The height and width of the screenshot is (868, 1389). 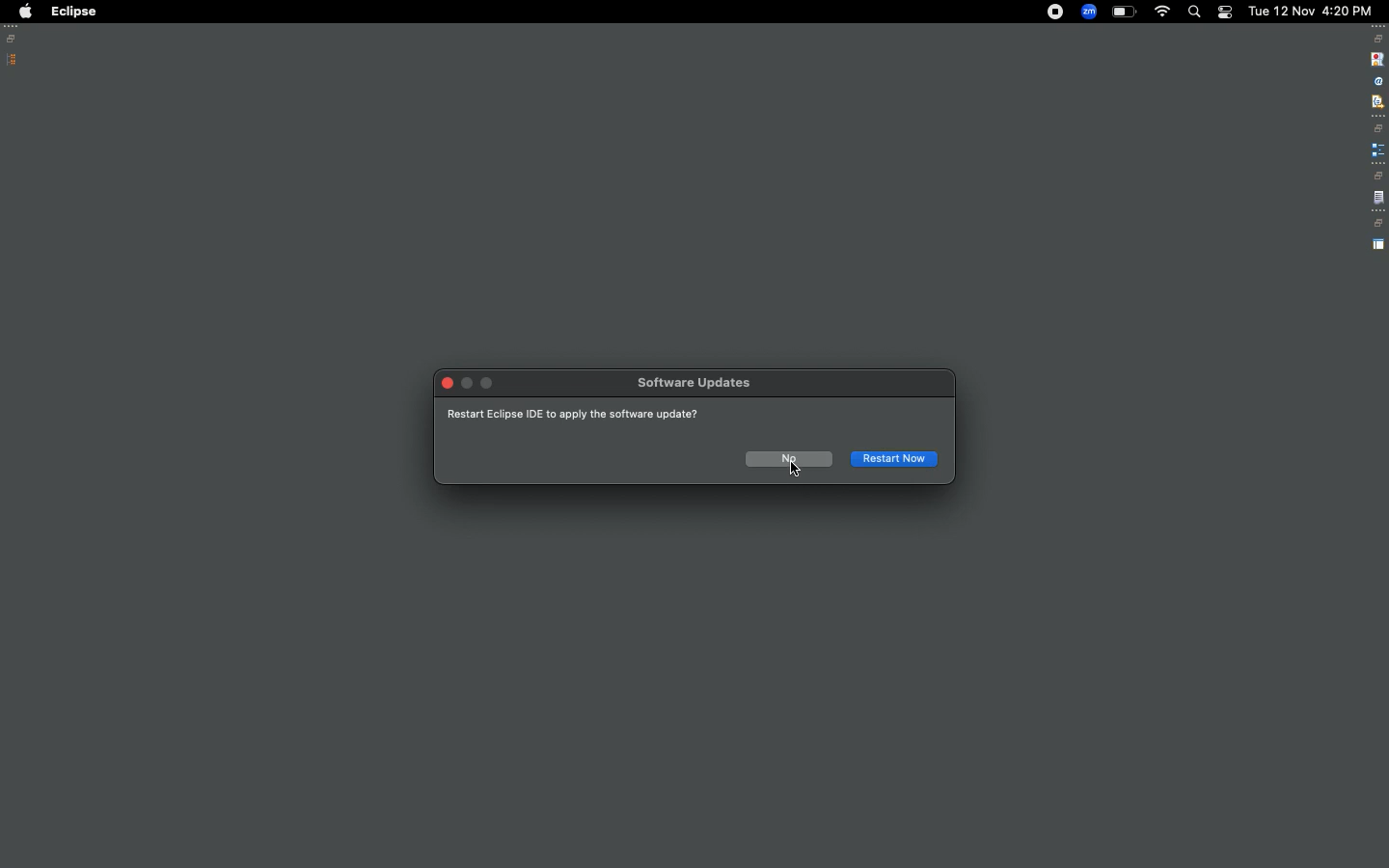 What do you see at coordinates (1312, 10) in the screenshot?
I see `Date/time` at bounding box center [1312, 10].